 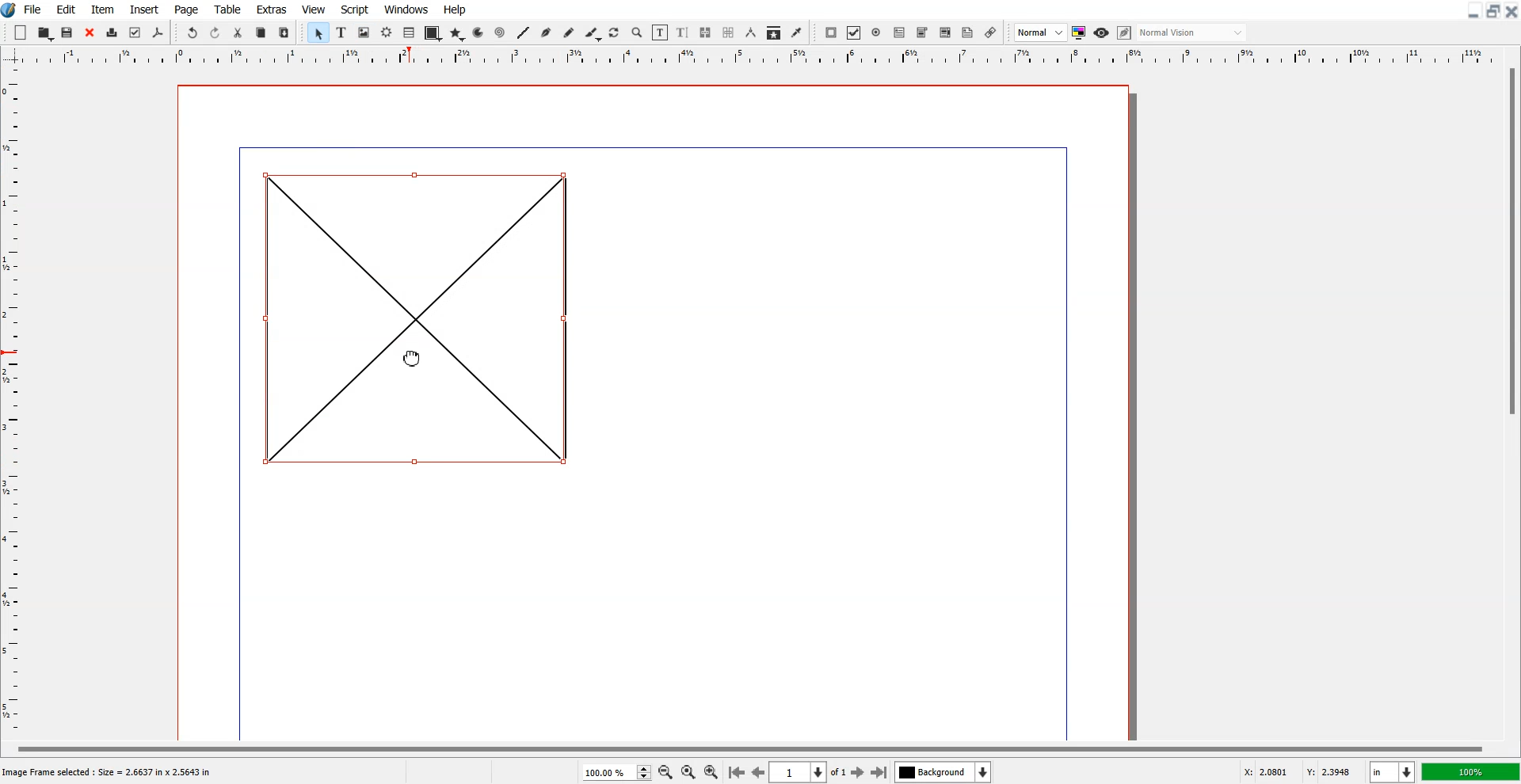 What do you see at coordinates (1125, 32) in the screenshot?
I see `Edit in preview mode` at bounding box center [1125, 32].